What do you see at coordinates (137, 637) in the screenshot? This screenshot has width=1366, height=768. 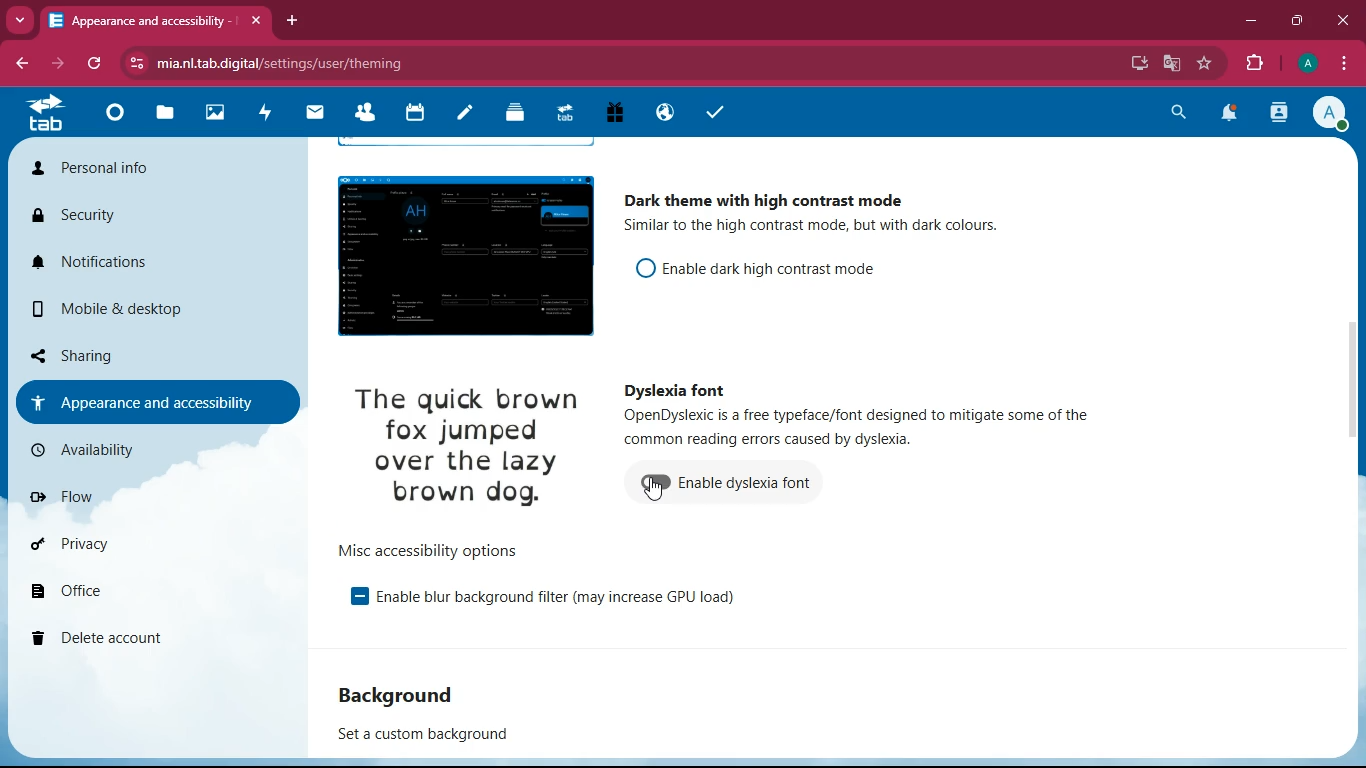 I see `delete account` at bounding box center [137, 637].